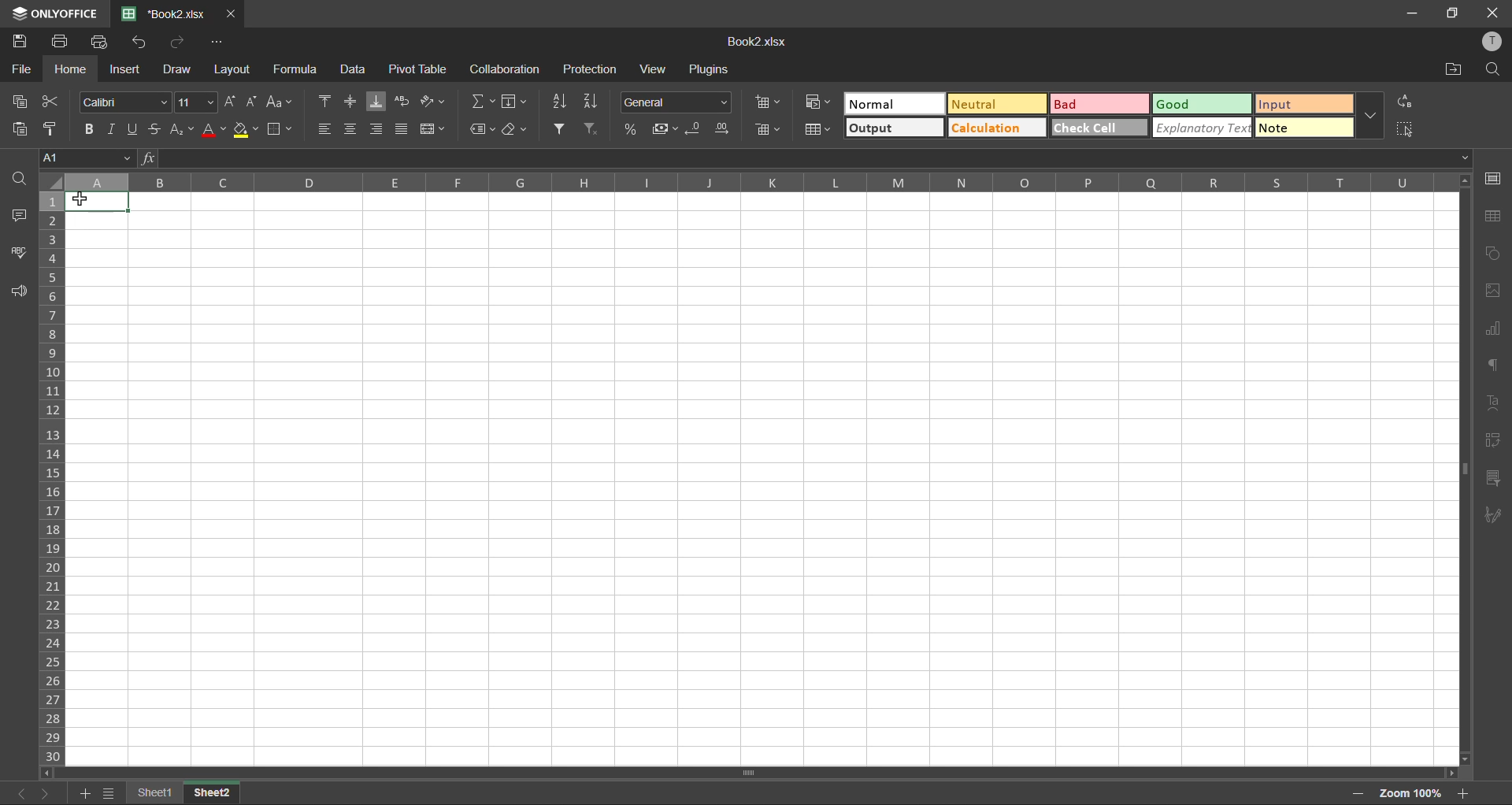 This screenshot has height=805, width=1512. What do you see at coordinates (713, 72) in the screenshot?
I see `plugins` at bounding box center [713, 72].